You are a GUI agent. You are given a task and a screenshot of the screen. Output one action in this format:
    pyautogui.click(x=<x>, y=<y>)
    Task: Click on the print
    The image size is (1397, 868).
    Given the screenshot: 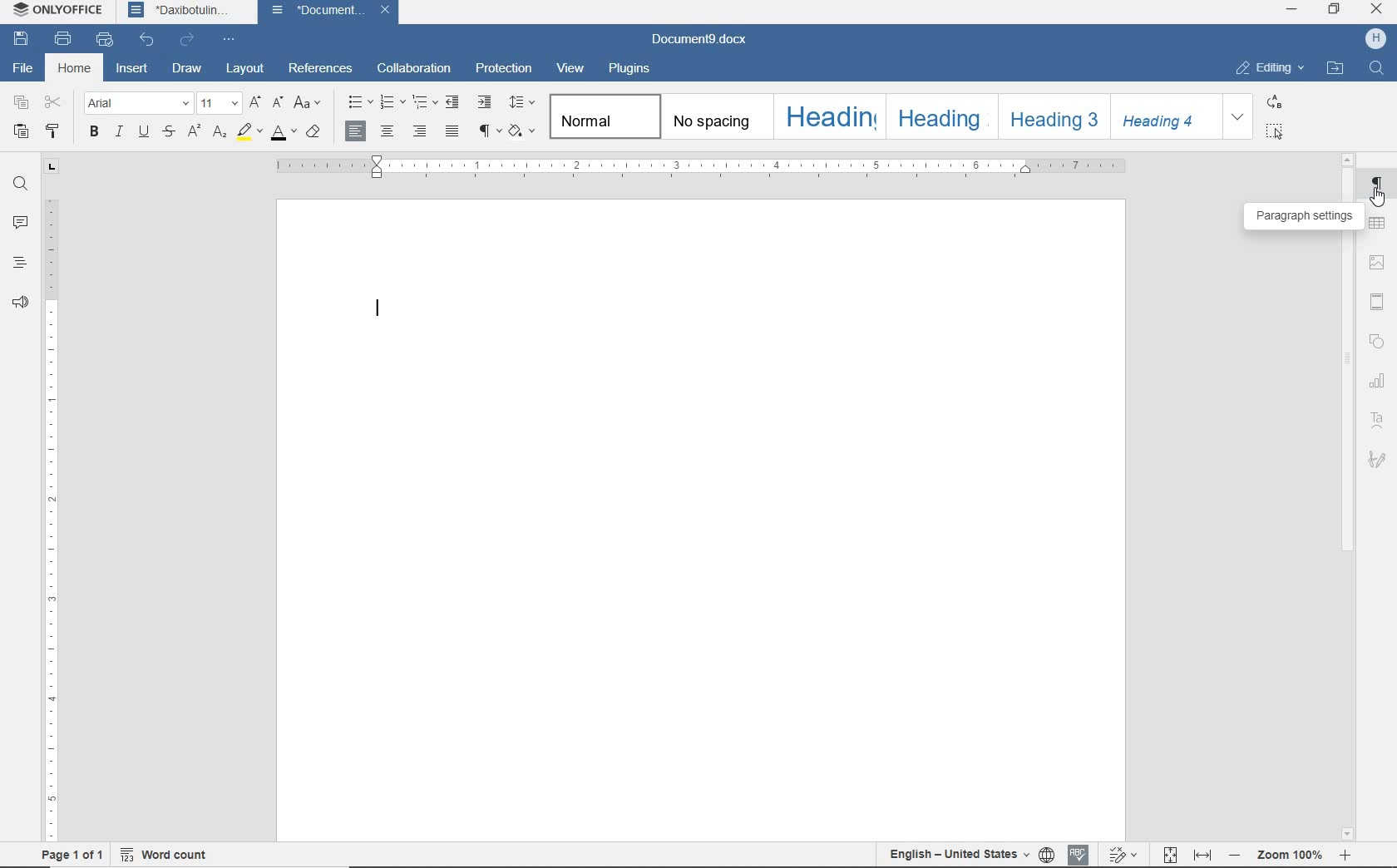 What is the action you would take?
    pyautogui.click(x=67, y=40)
    